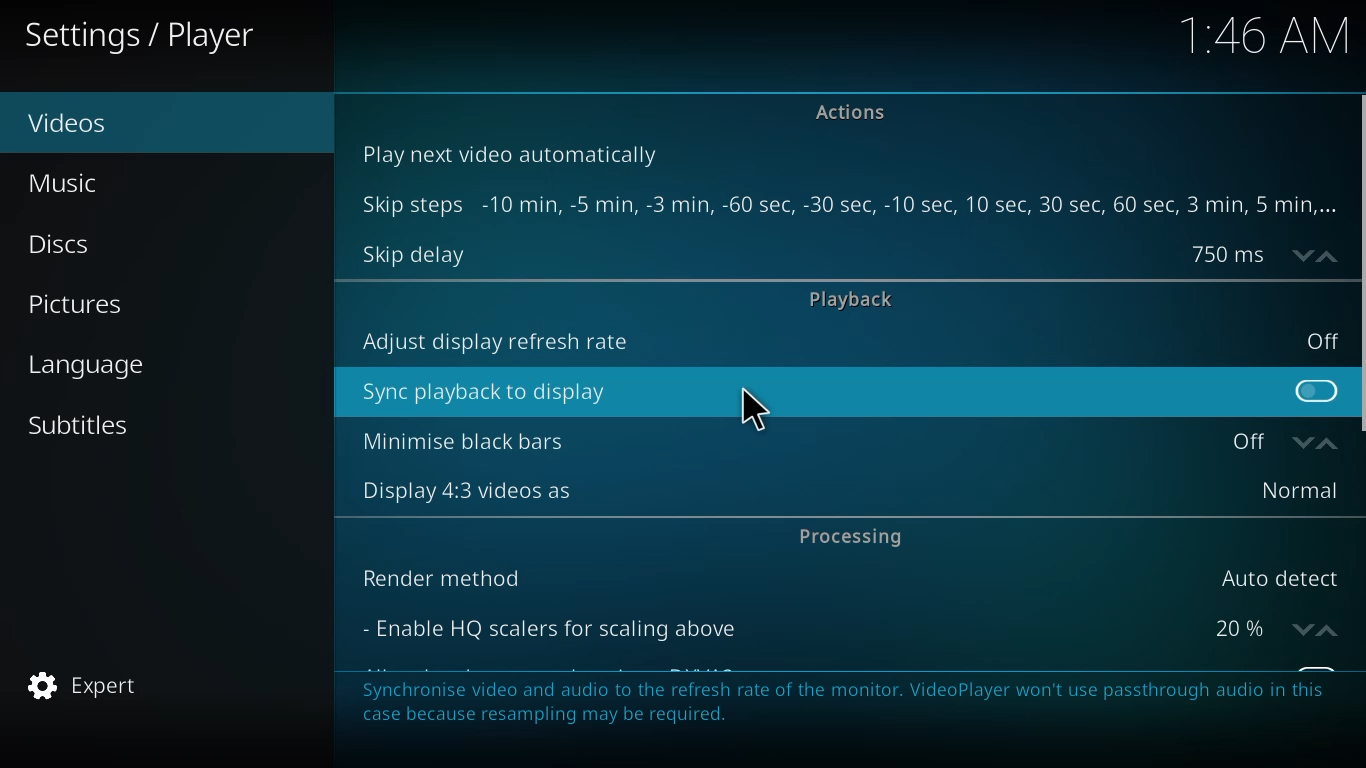  Describe the element at coordinates (67, 120) in the screenshot. I see `videos` at that location.